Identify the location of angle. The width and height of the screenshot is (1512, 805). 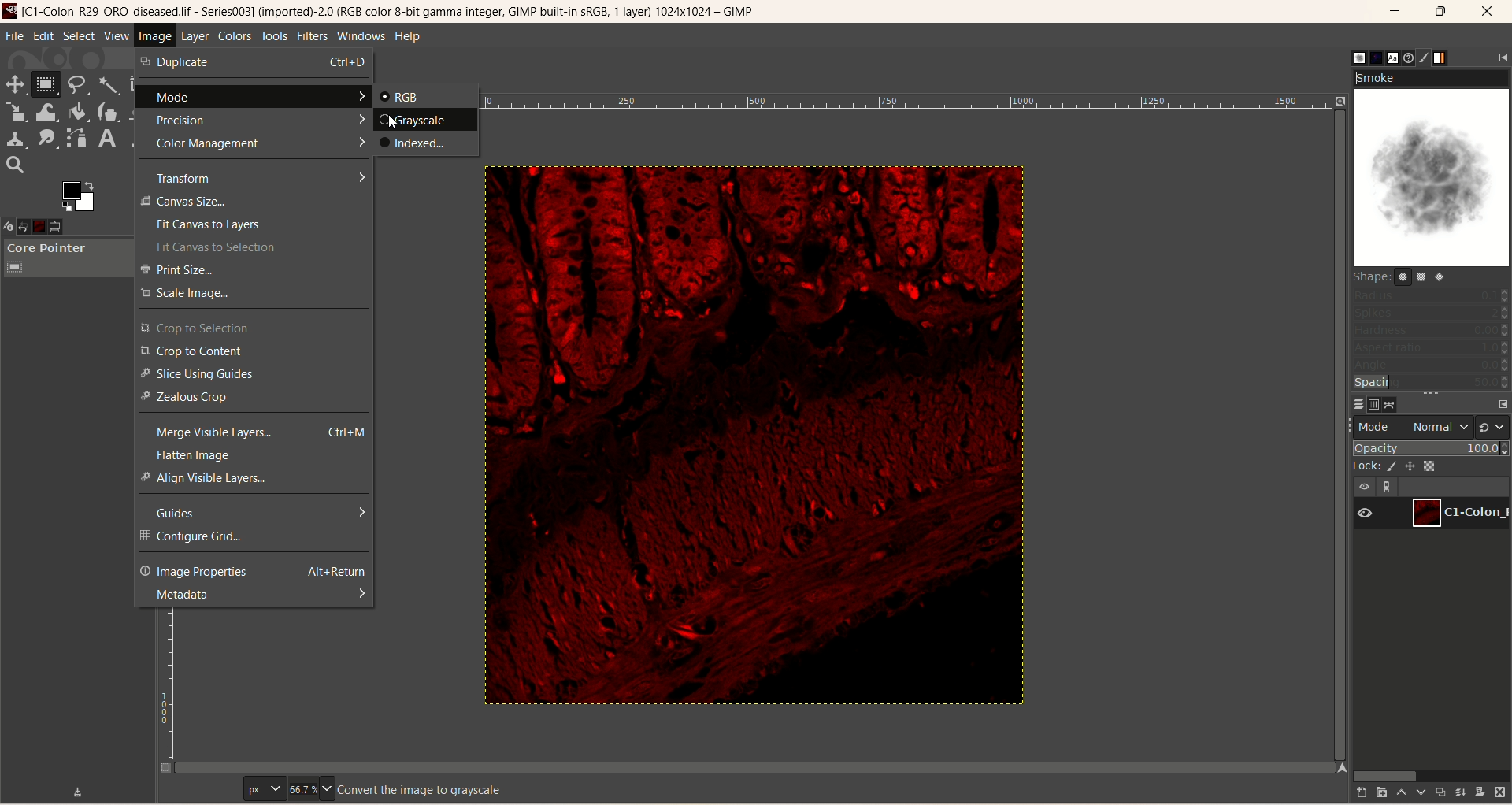
(1432, 365).